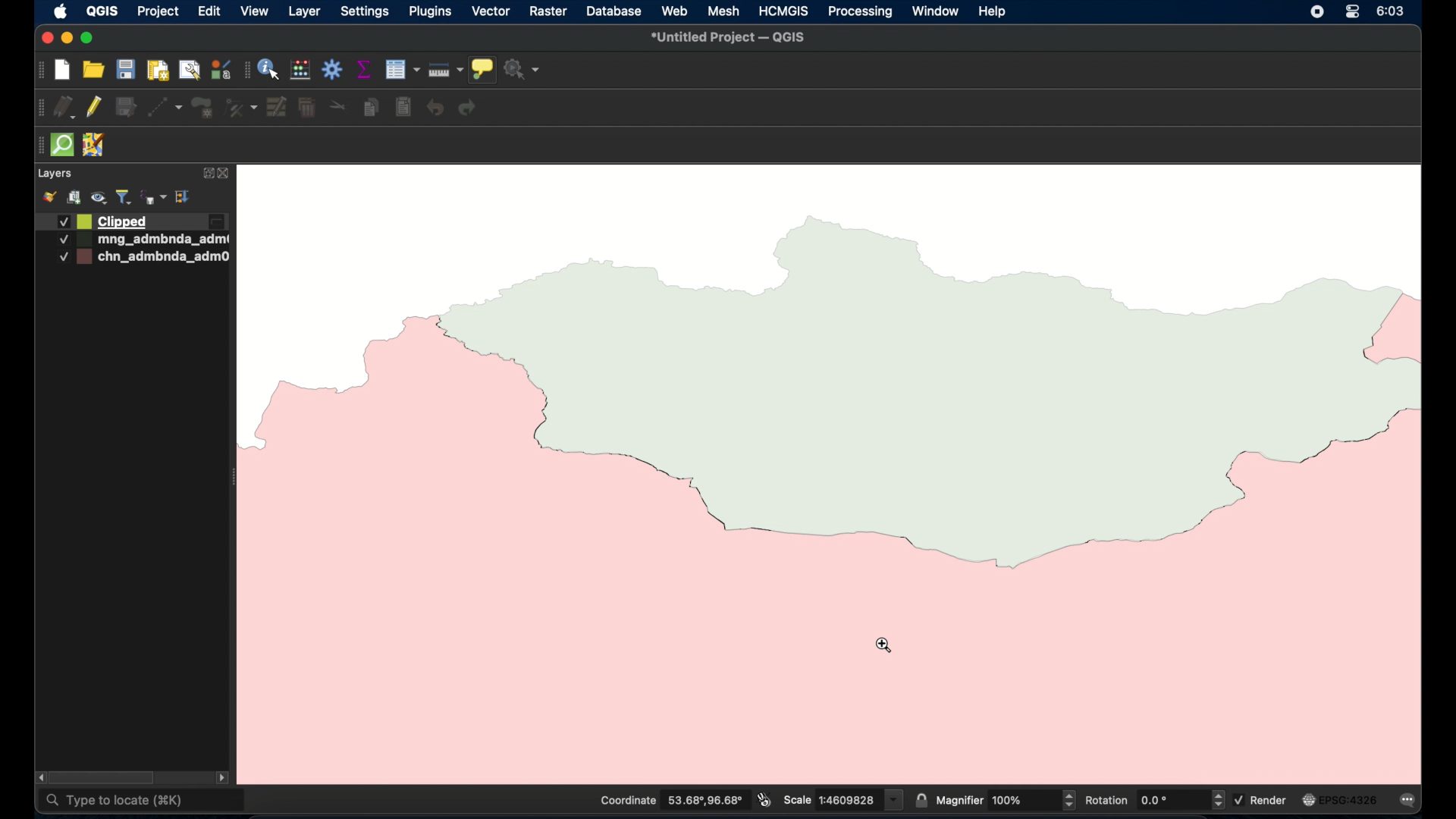  What do you see at coordinates (522, 69) in the screenshot?
I see `no action selected` at bounding box center [522, 69].